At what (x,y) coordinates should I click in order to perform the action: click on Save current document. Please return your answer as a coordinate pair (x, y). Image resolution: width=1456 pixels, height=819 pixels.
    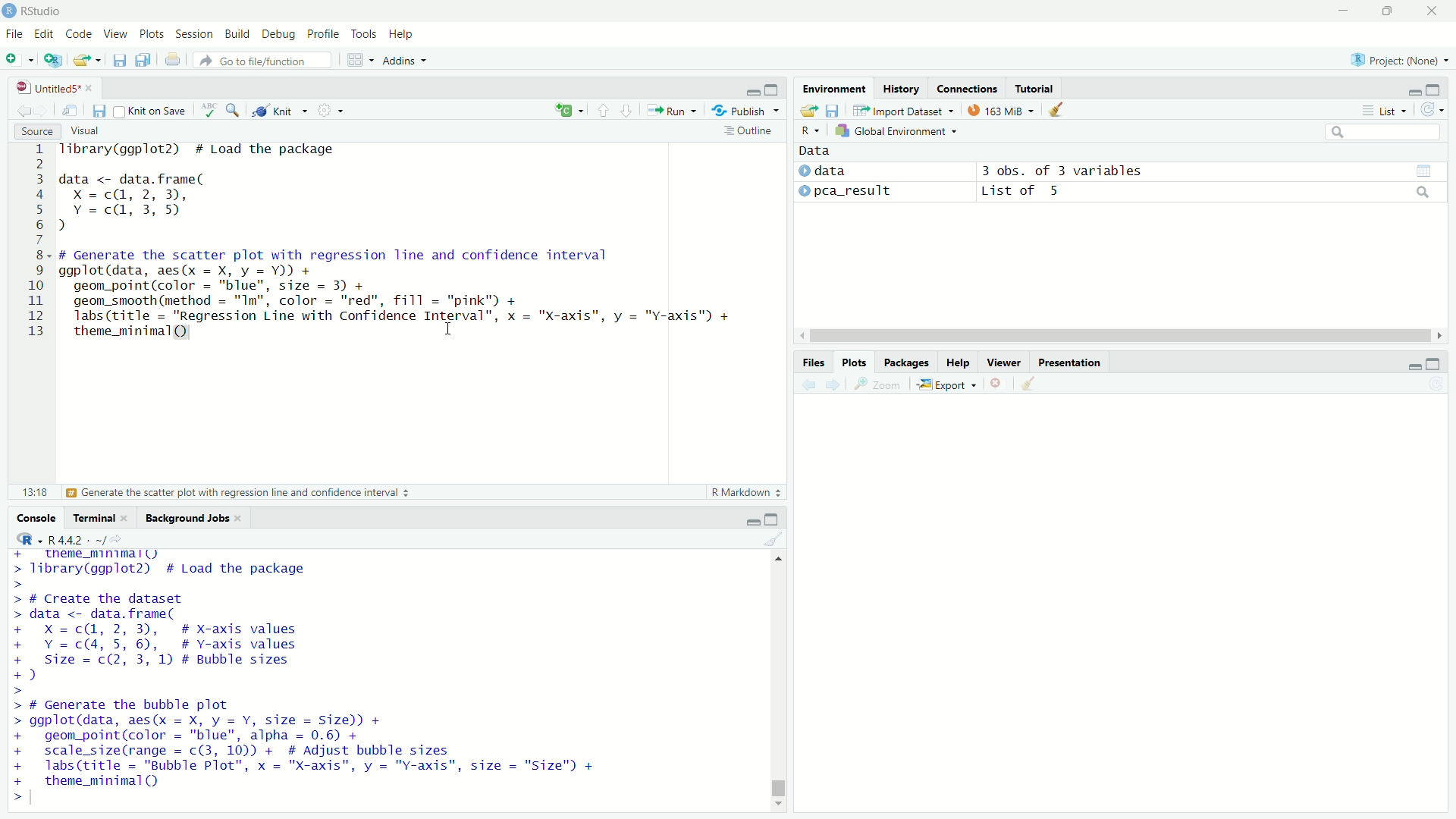
    Looking at the image, I should click on (118, 60).